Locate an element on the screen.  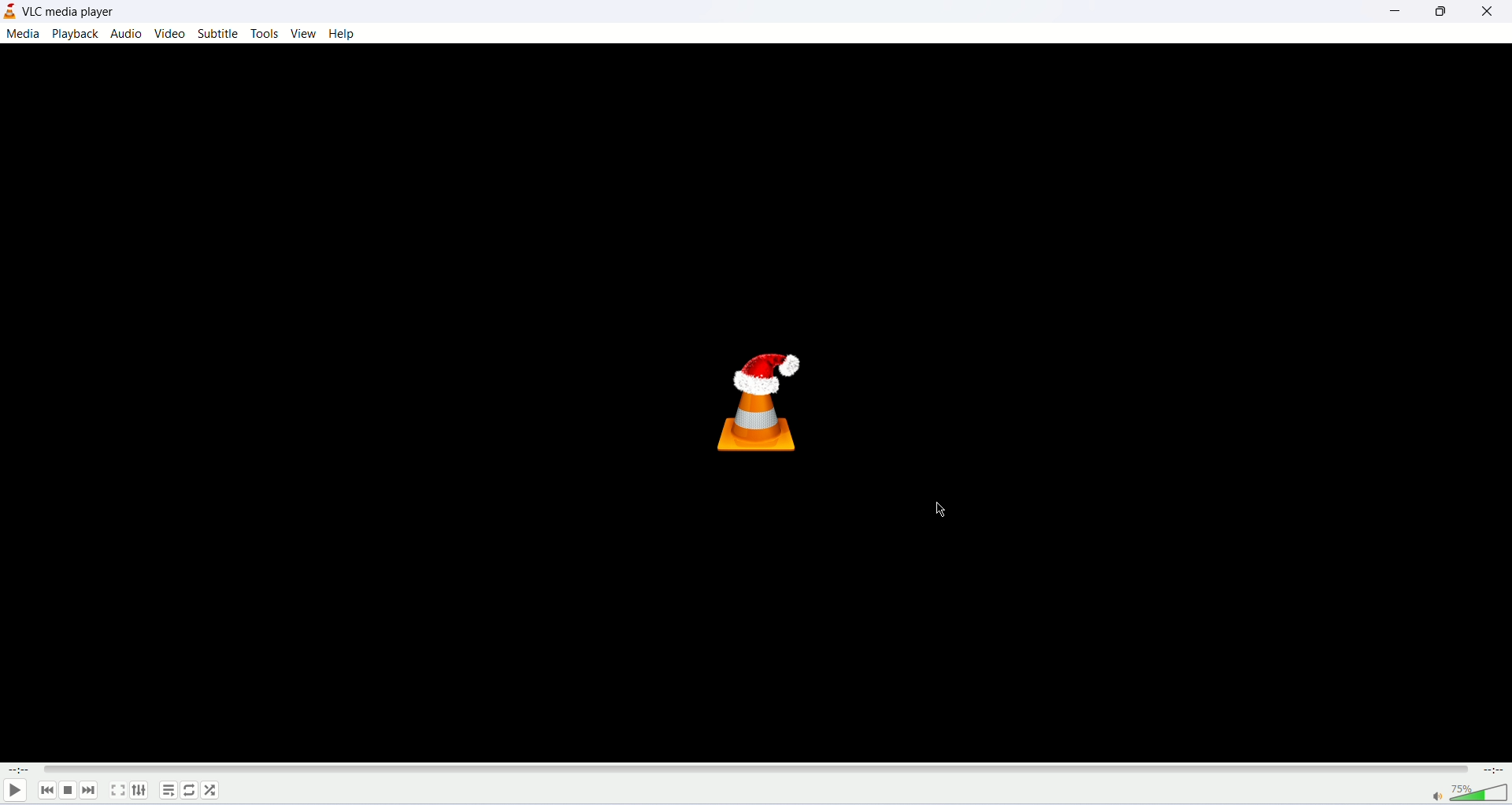
audio is located at coordinates (125, 33).